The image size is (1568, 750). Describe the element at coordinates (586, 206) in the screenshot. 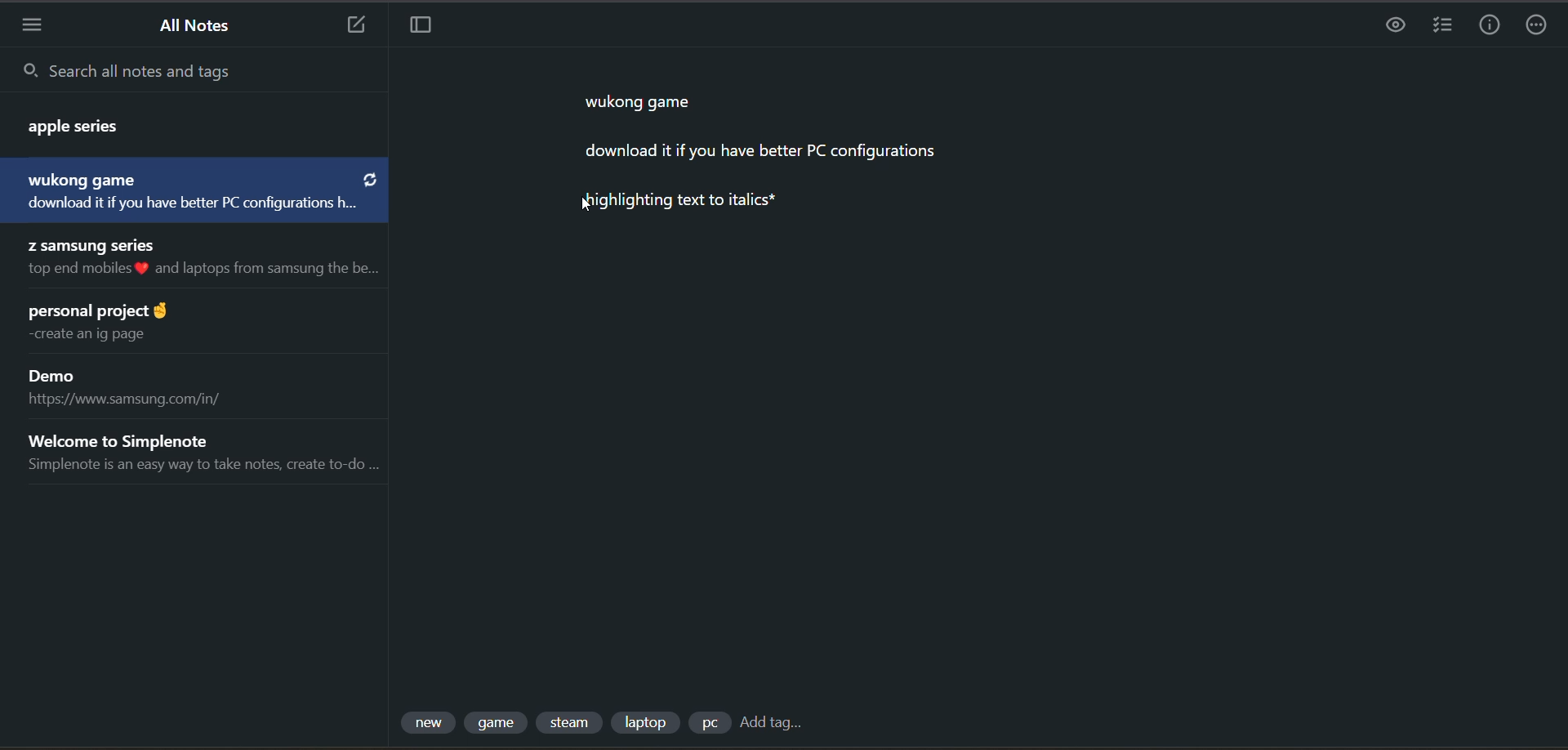

I see `cursor` at that location.